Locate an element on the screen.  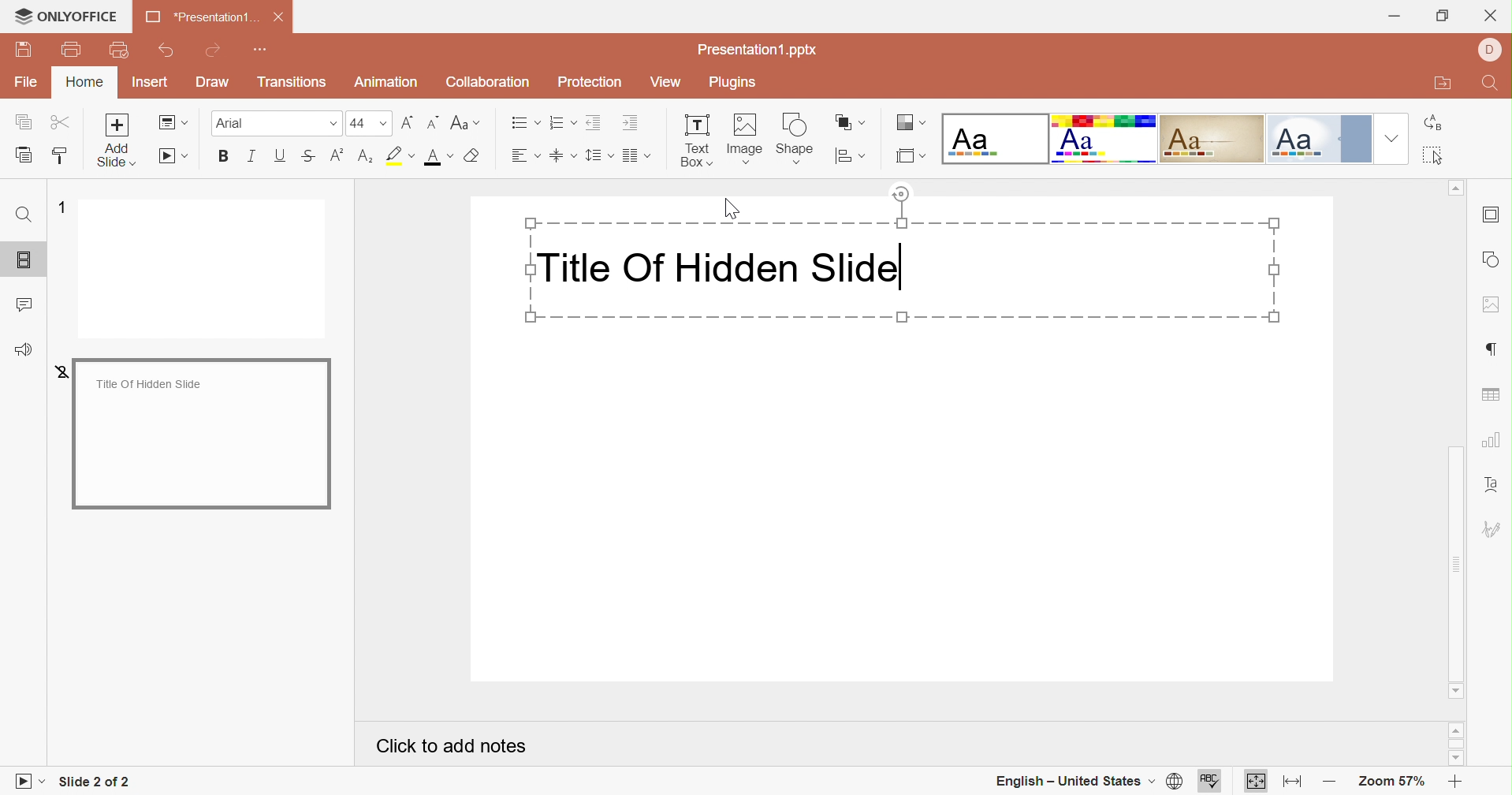
Image settings is located at coordinates (1493, 306).